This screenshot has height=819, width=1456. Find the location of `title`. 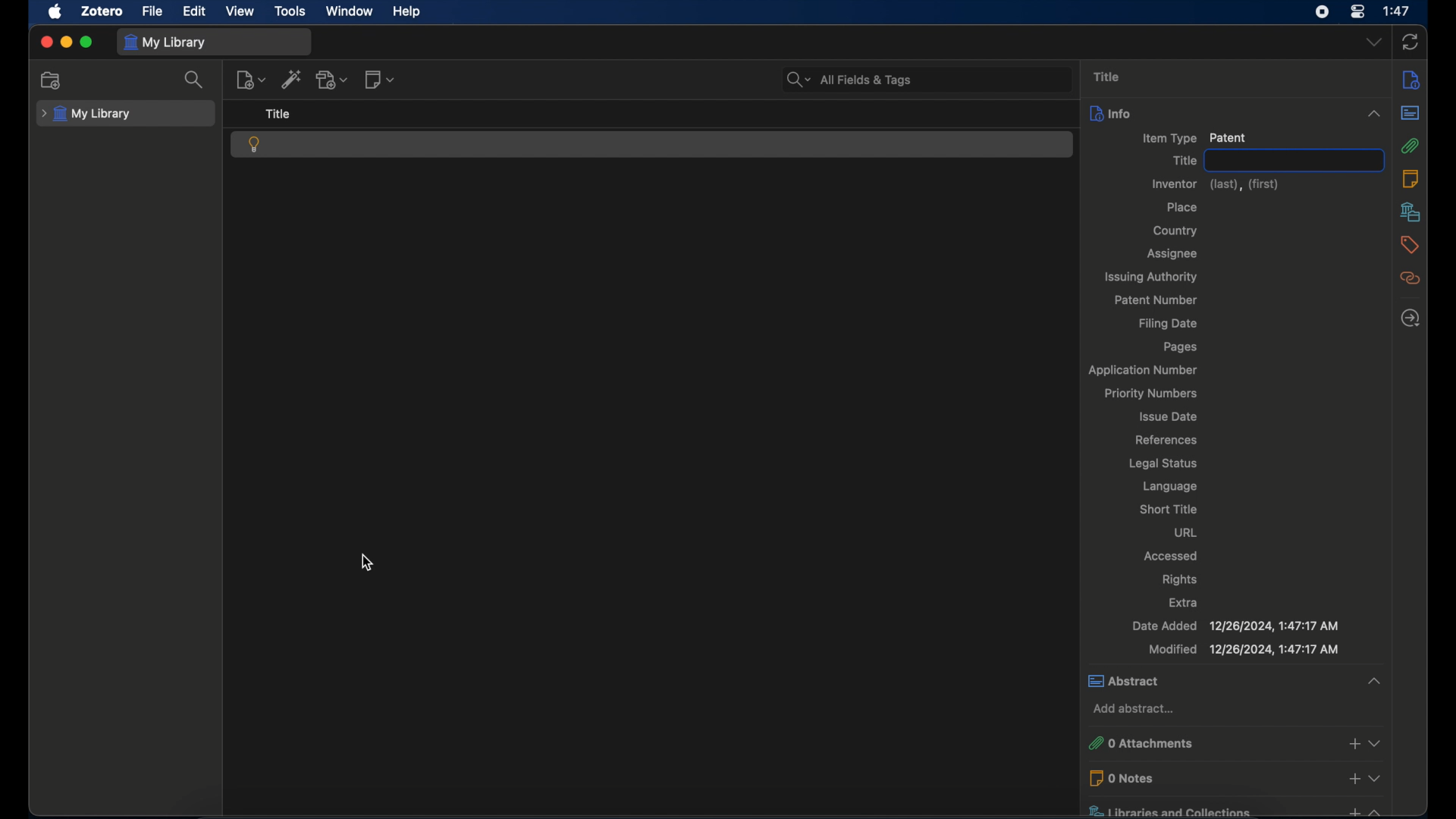

title is located at coordinates (1109, 76).